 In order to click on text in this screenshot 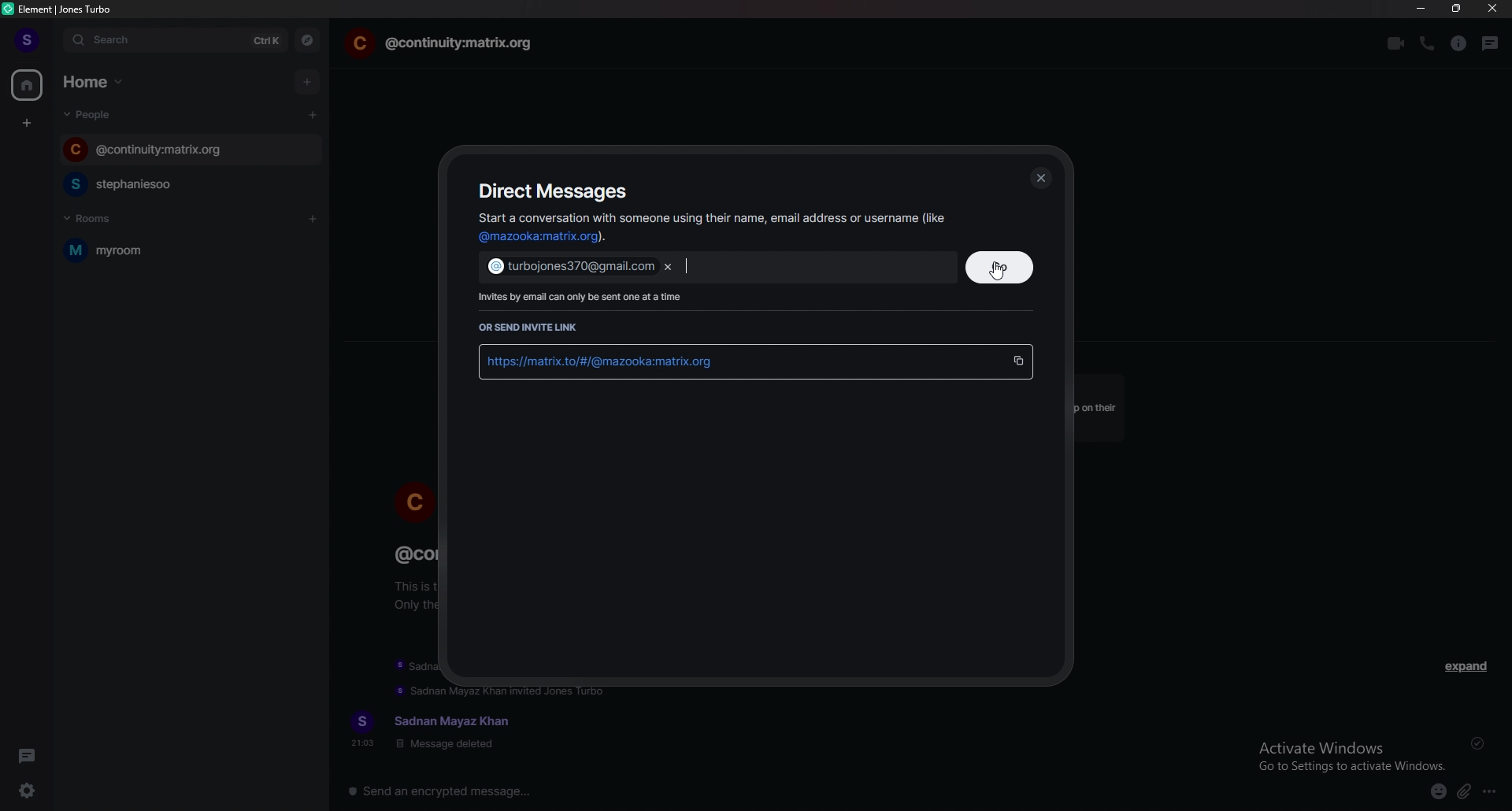, I will do `click(435, 731)`.